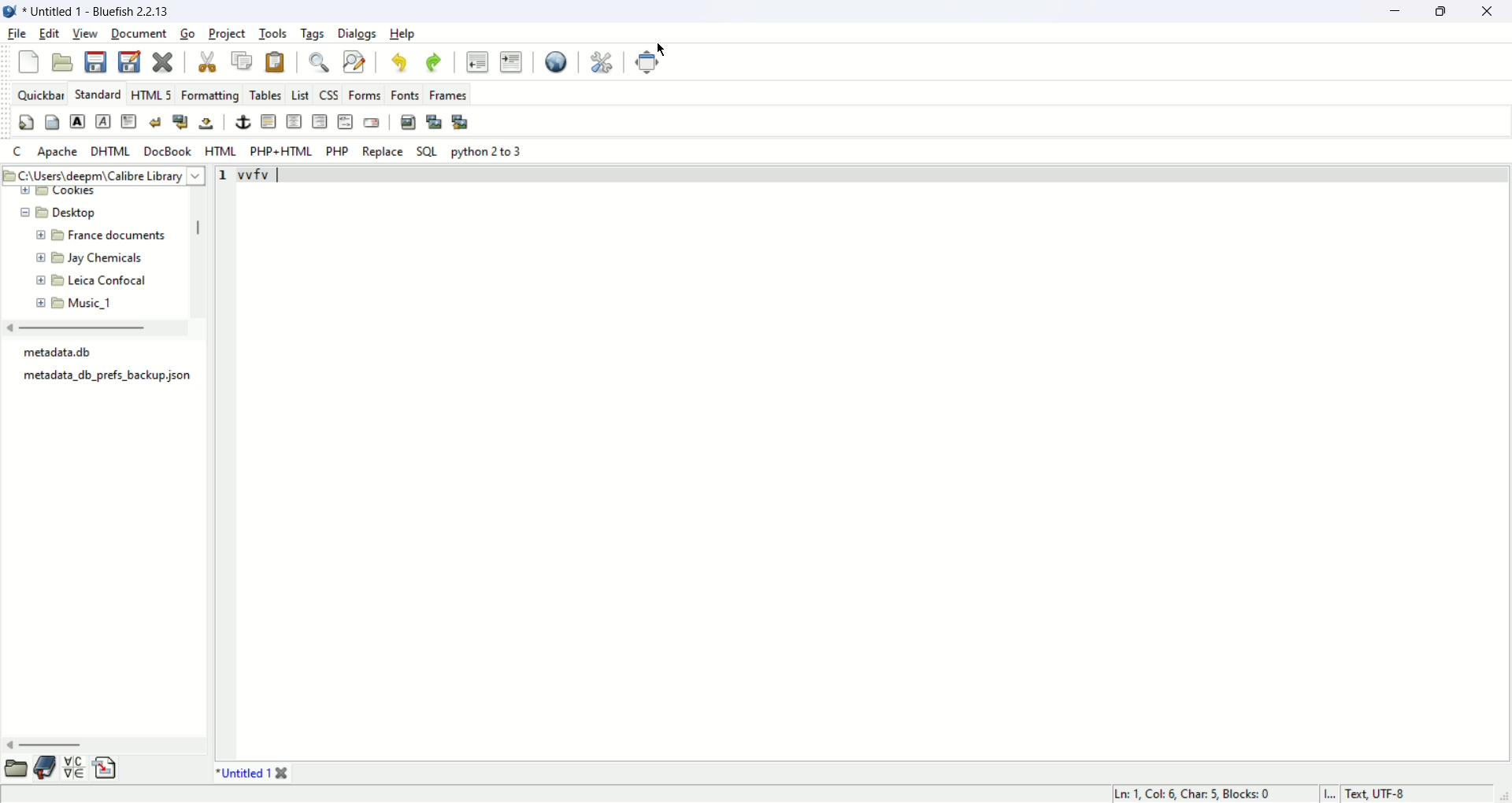 This screenshot has height=803, width=1512. I want to click on HTML, so click(222, 150).